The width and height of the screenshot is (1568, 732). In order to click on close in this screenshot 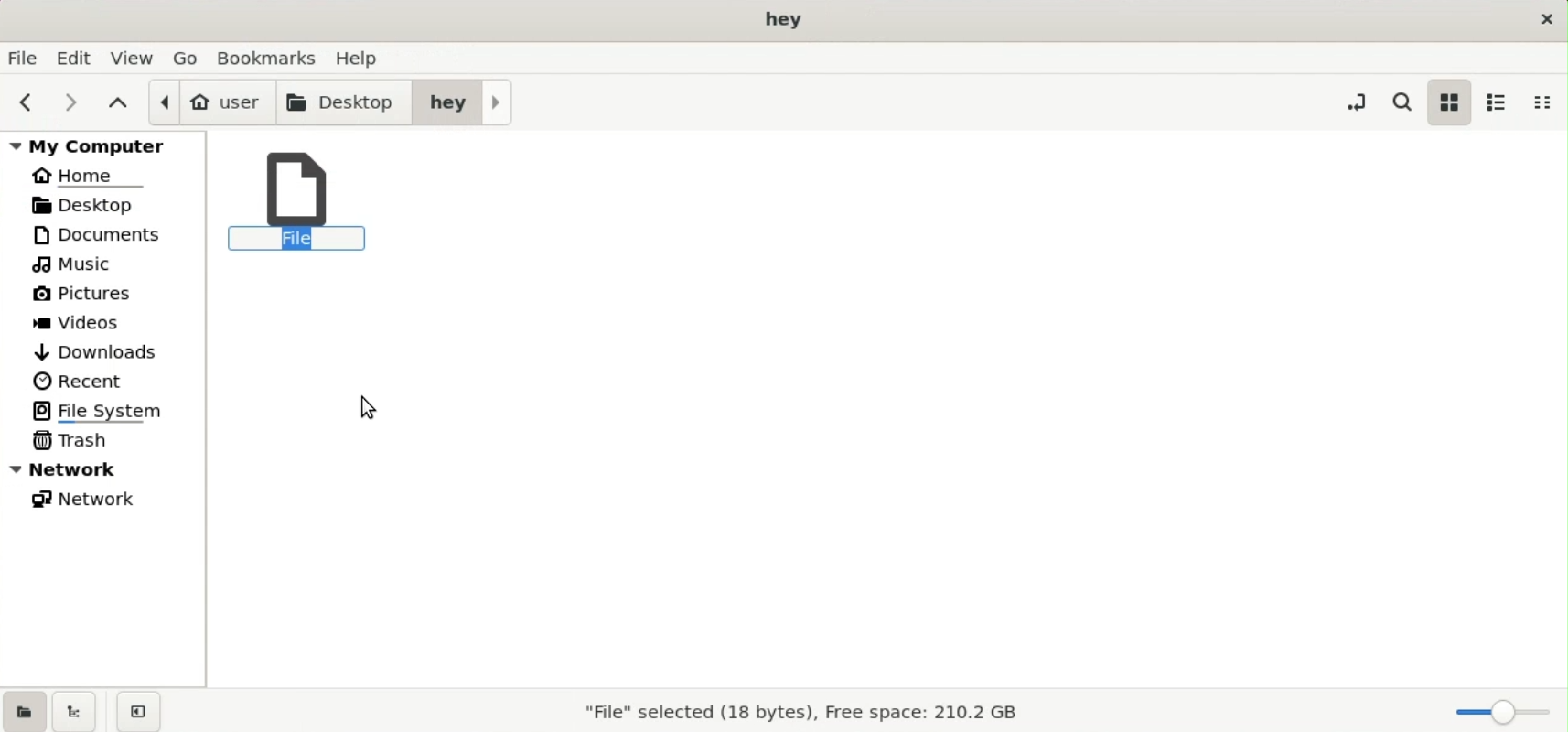, I will do `click(1543, 18)`.